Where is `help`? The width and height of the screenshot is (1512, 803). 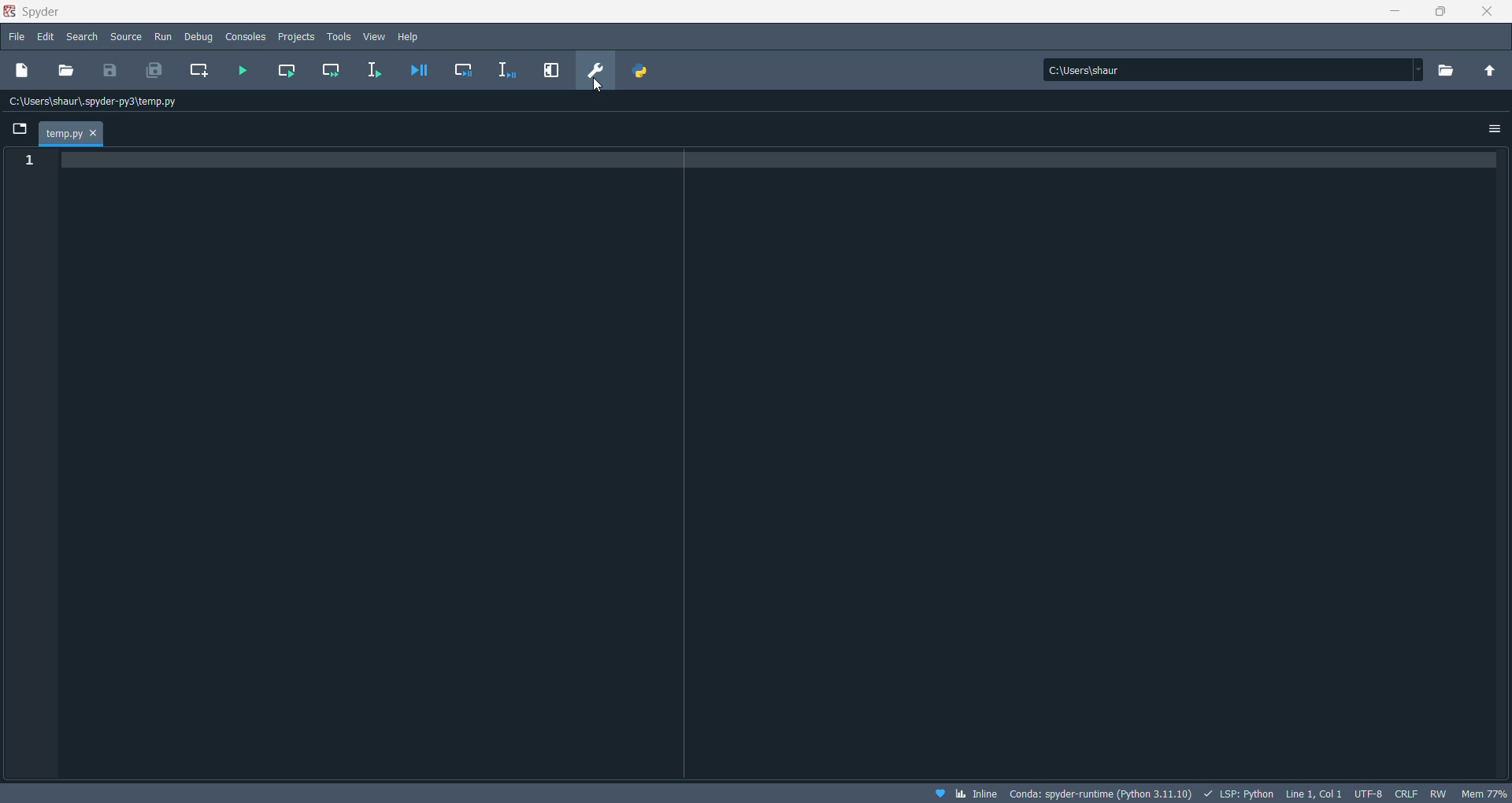
help is located at coordinates (410, 37).